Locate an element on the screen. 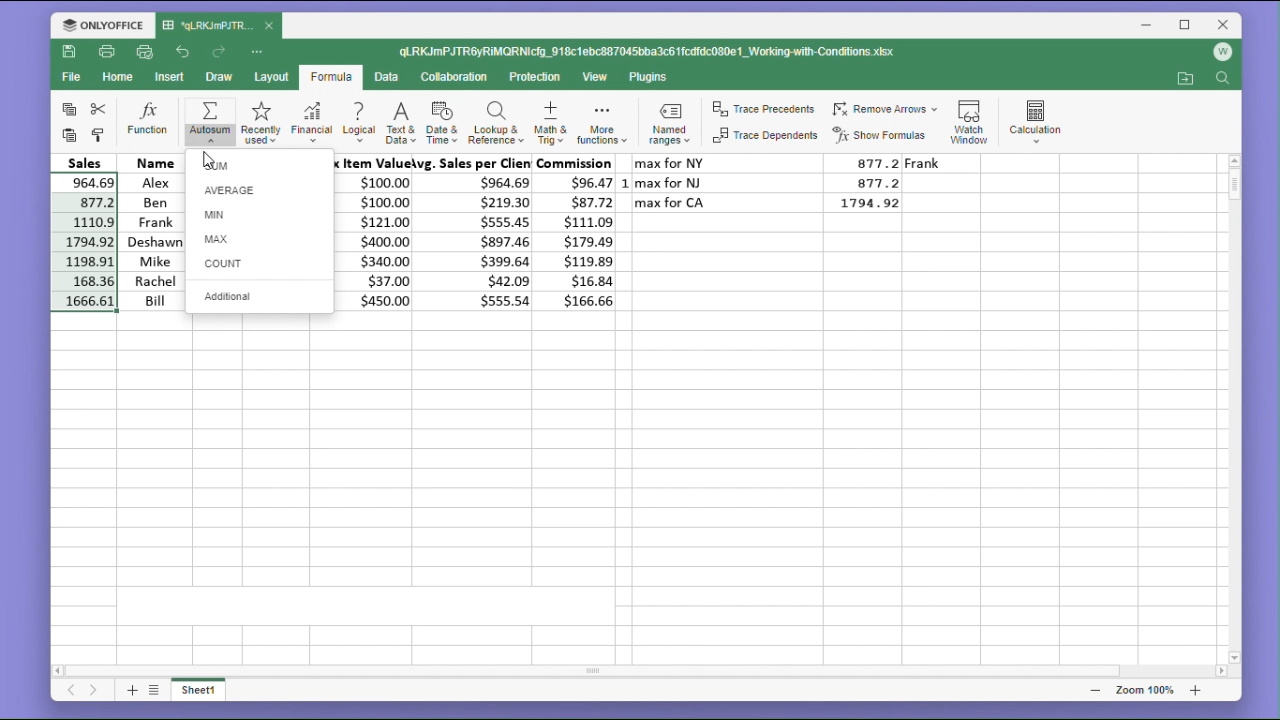 The width and height of the screenshot is (1280, 720). autosum is located at coordinates (210, 120).